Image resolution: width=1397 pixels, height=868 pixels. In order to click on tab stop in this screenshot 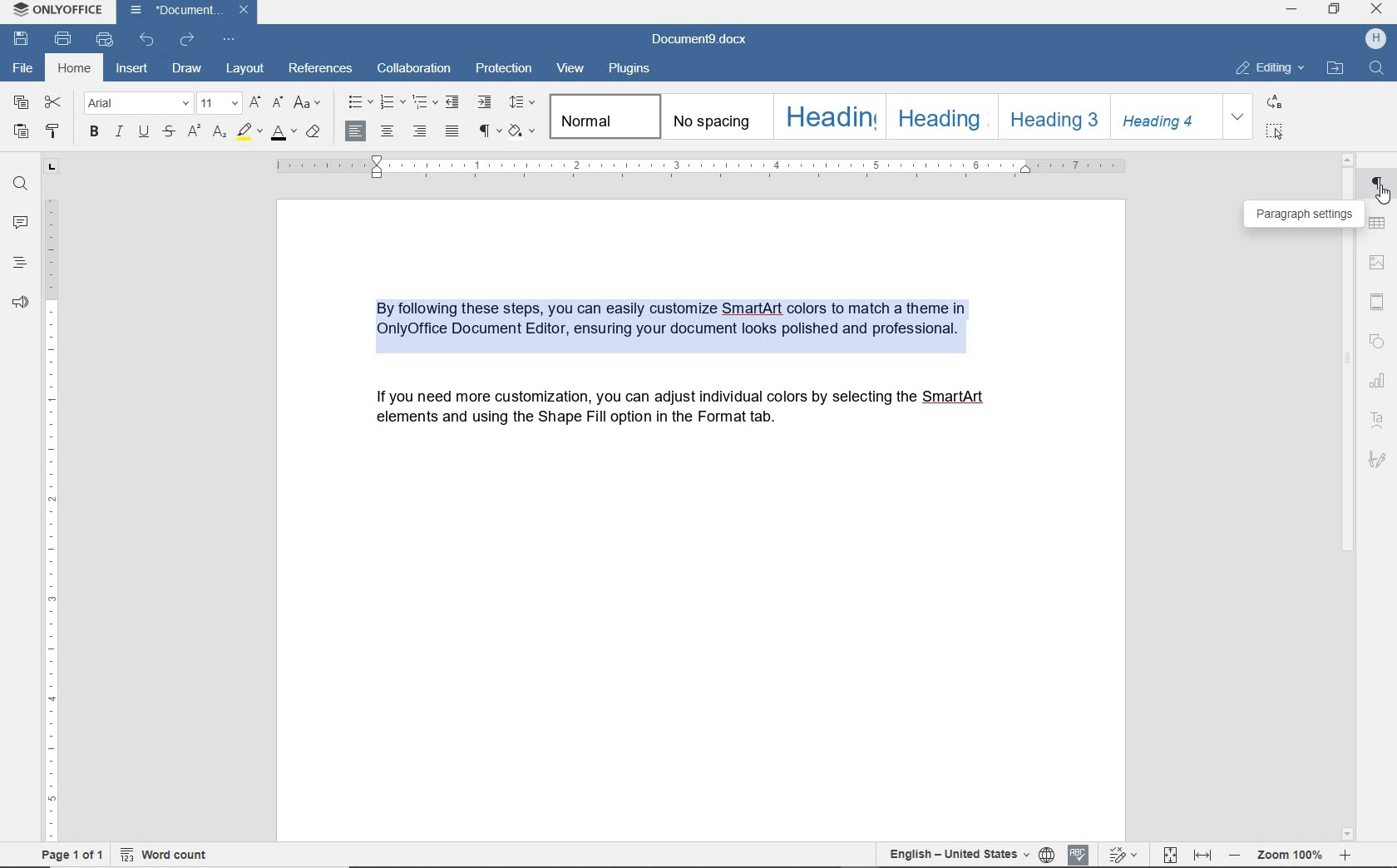, I will do `click(52, 165)`.